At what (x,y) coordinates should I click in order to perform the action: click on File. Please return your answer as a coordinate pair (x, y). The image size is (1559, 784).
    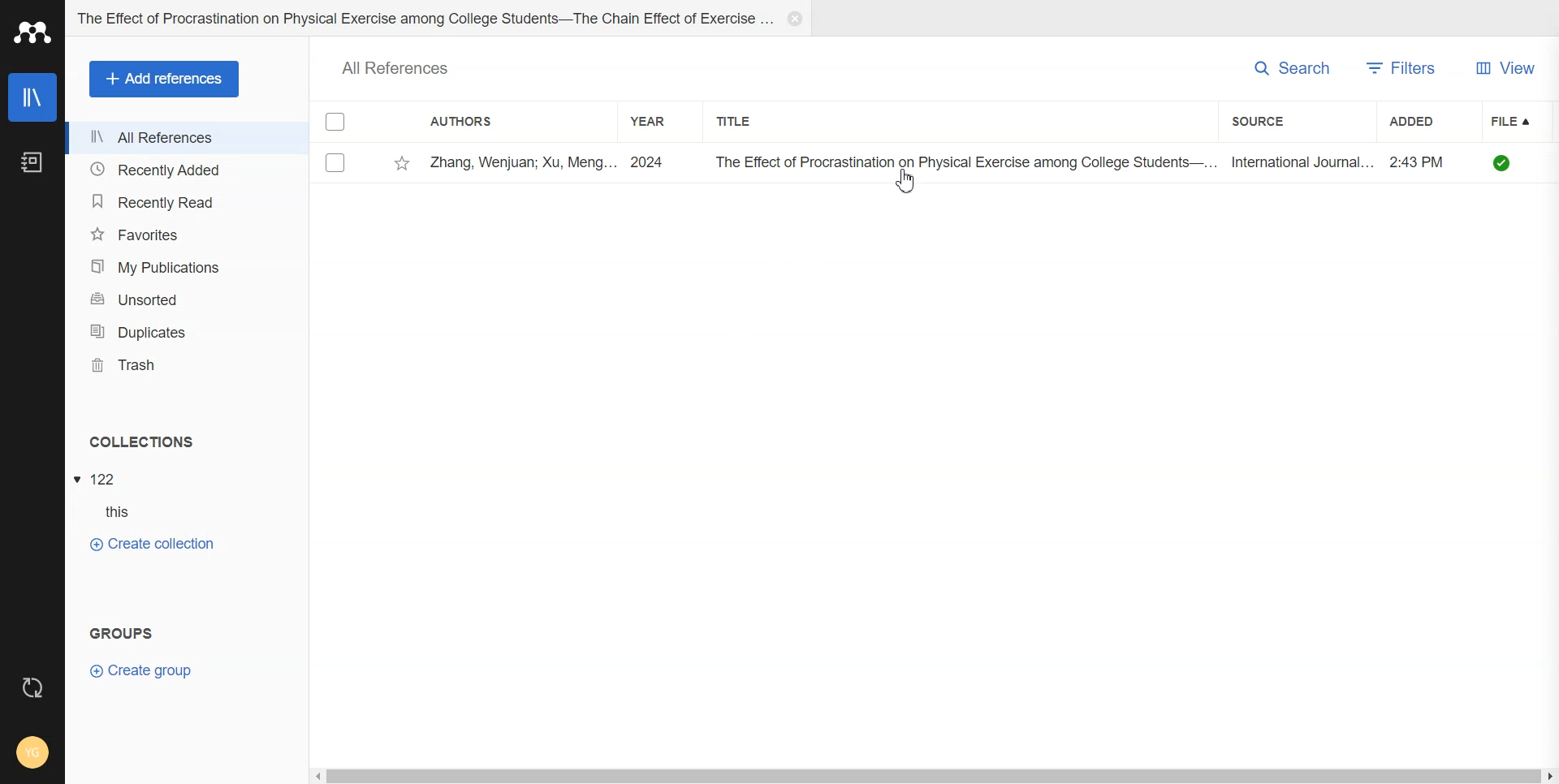
    Looking at the image, I should click on (1521, 119).